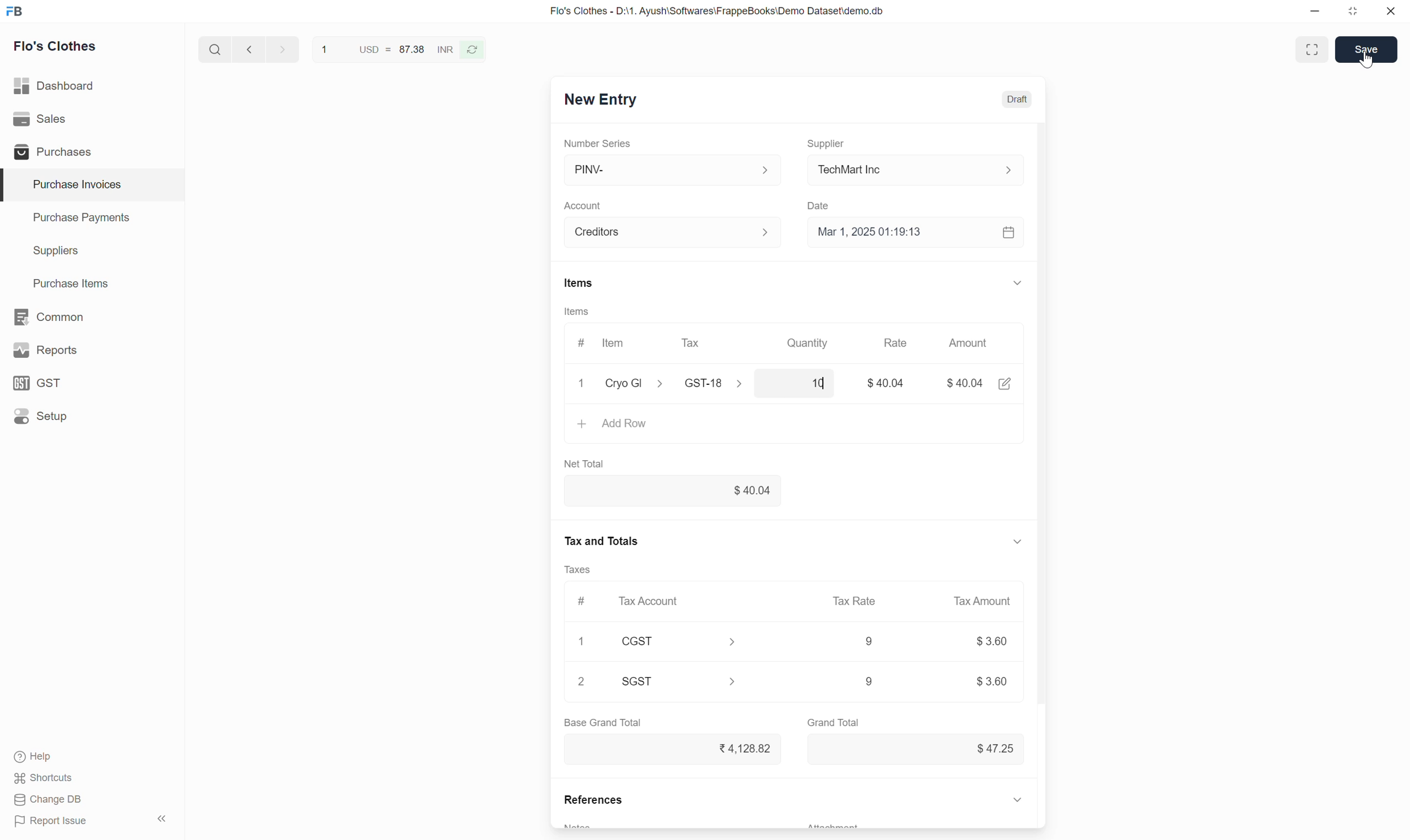 The height and width of the screenshot is (840, 1410). What do you see at coordinates (1391, 13) in the screenshot?
I see `close` at bounding box center [1391, 13].